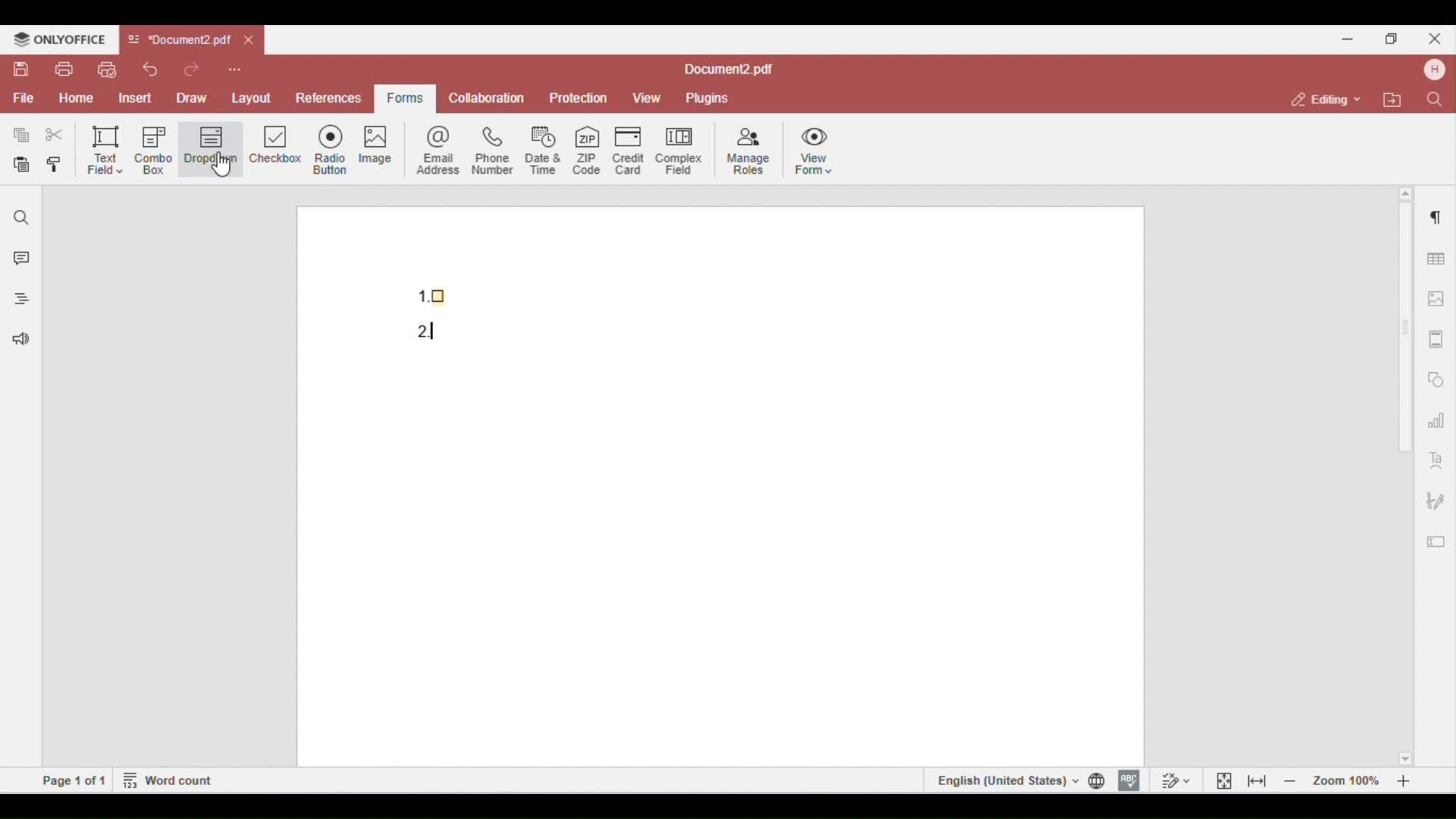  What do you see at coordinates (1436, 419) in the screenshot?
I see `chart settings` at bounding box center [1436, 419].